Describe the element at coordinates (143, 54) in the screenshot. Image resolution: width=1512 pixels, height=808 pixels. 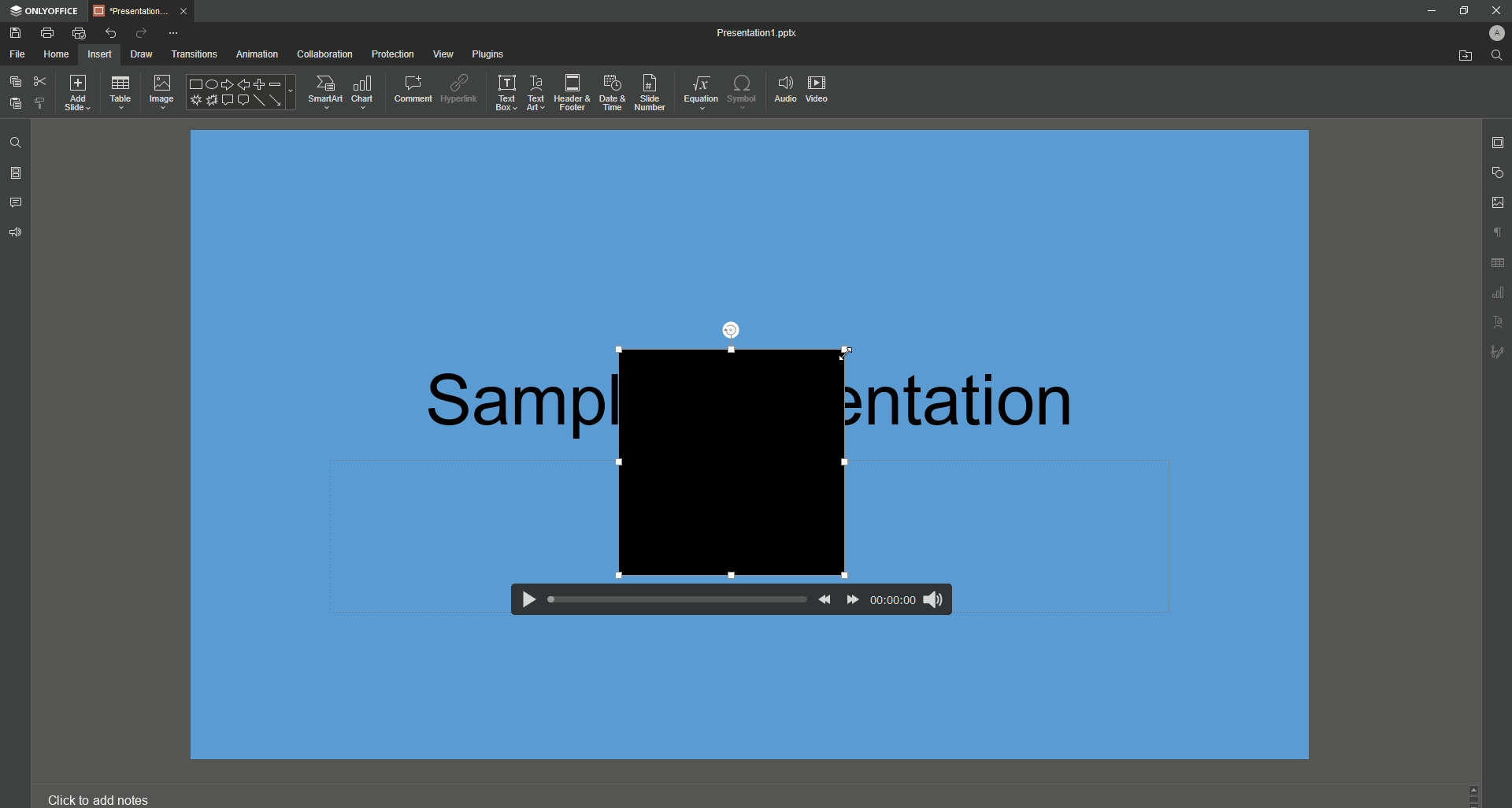
I see `Draw` at that location.